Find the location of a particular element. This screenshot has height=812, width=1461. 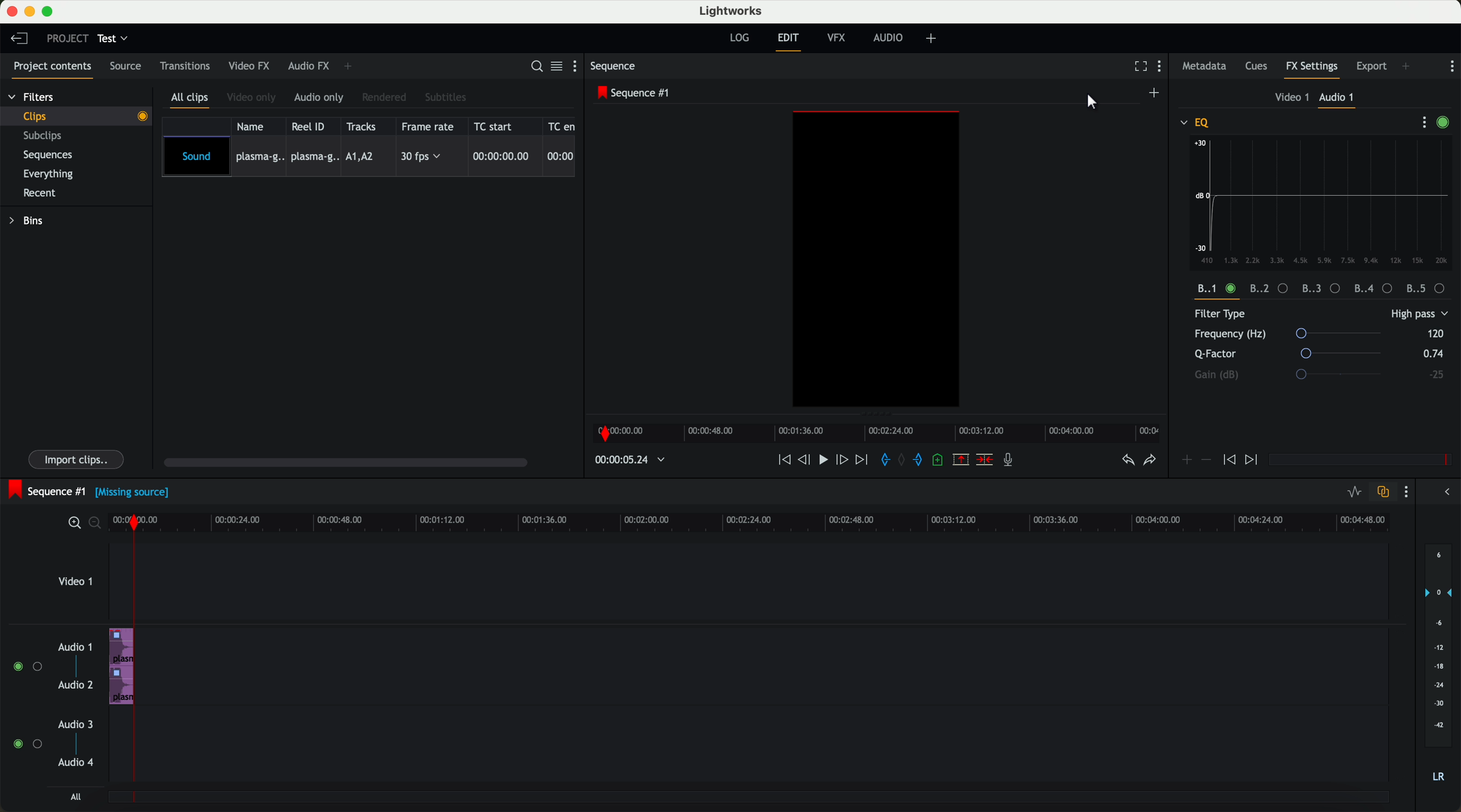

show settings menu is located at coordinates (577, 68).